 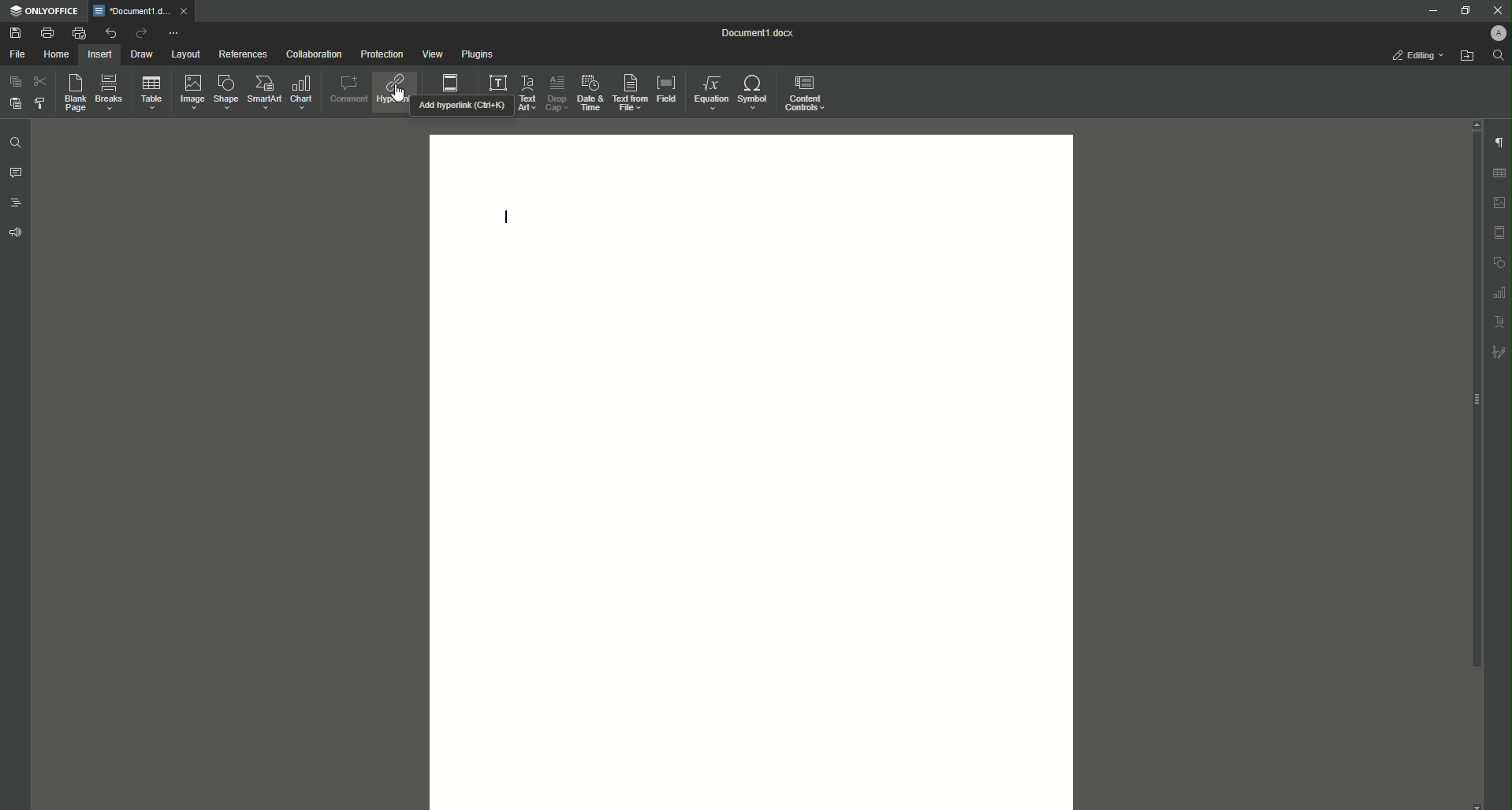 What do you see at coordinates (1499, 143) in the screenshot?
I see `Paragraph Settings` at bounding box center [1499, 143].